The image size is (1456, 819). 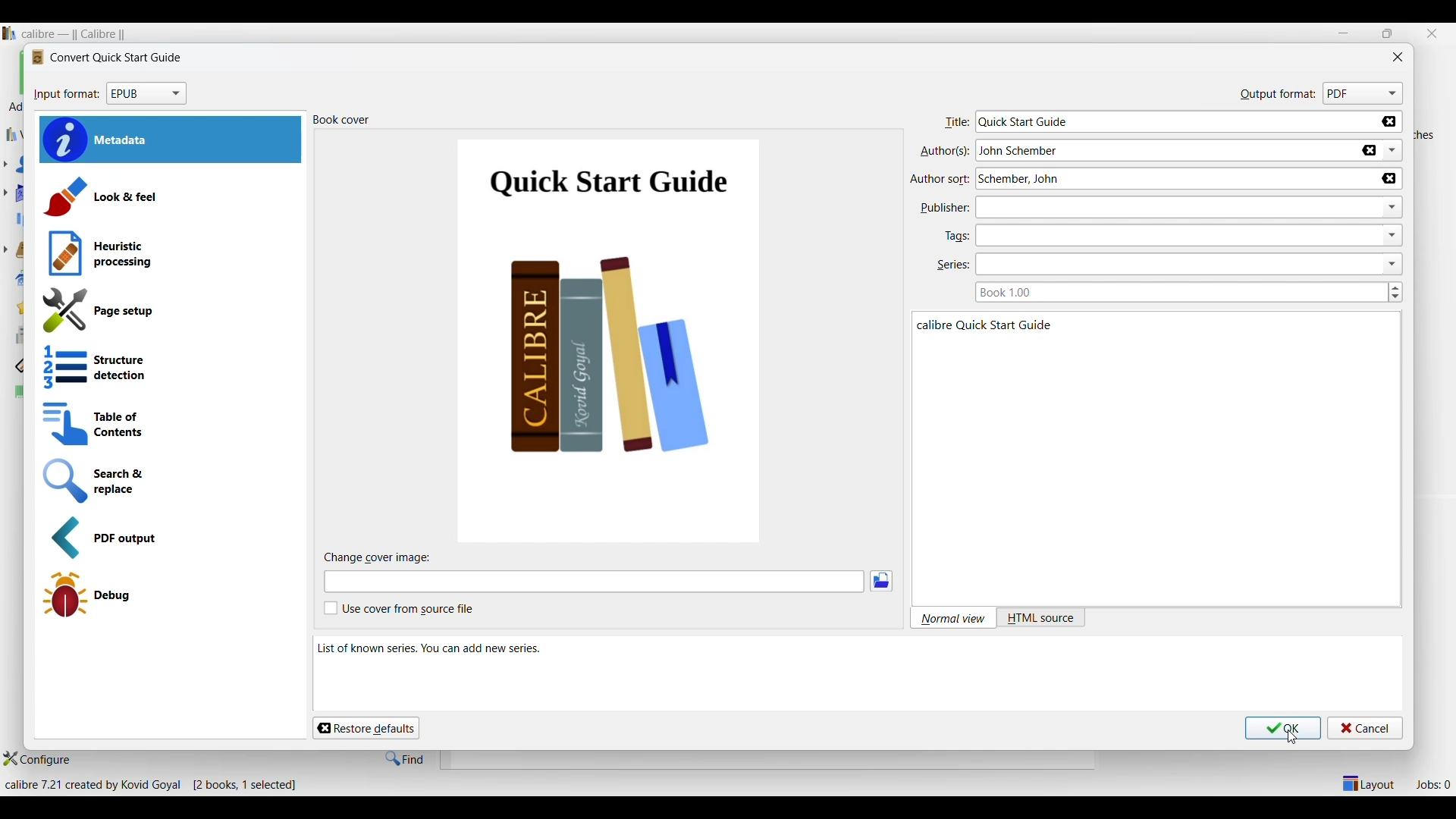 What do you see at coordinates (155, 785) in the screenshot?
I see `Details of software` at bounding box center [155, 785].